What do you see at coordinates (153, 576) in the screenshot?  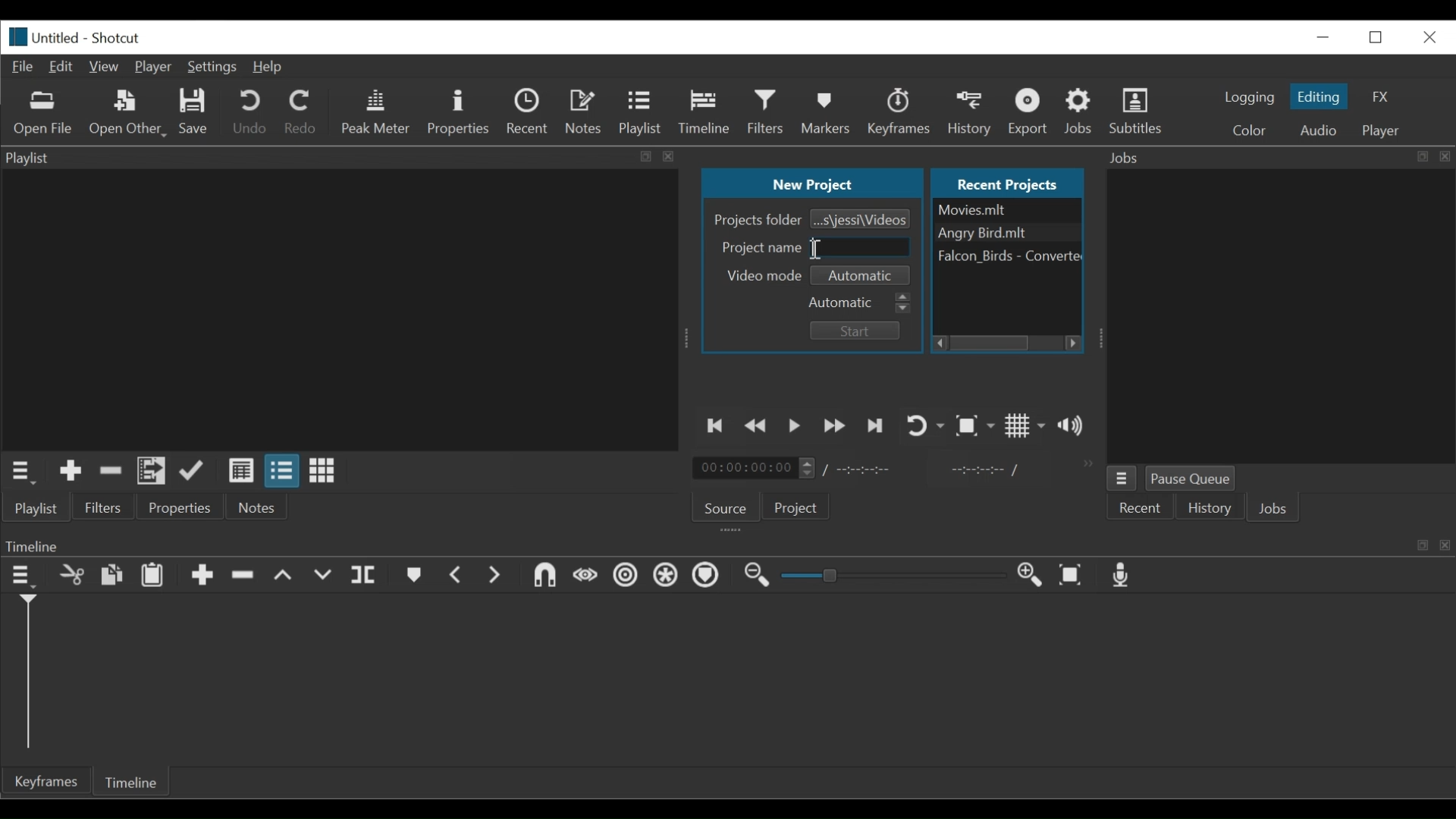 I see `Paste` at bounding box center [153, 576].